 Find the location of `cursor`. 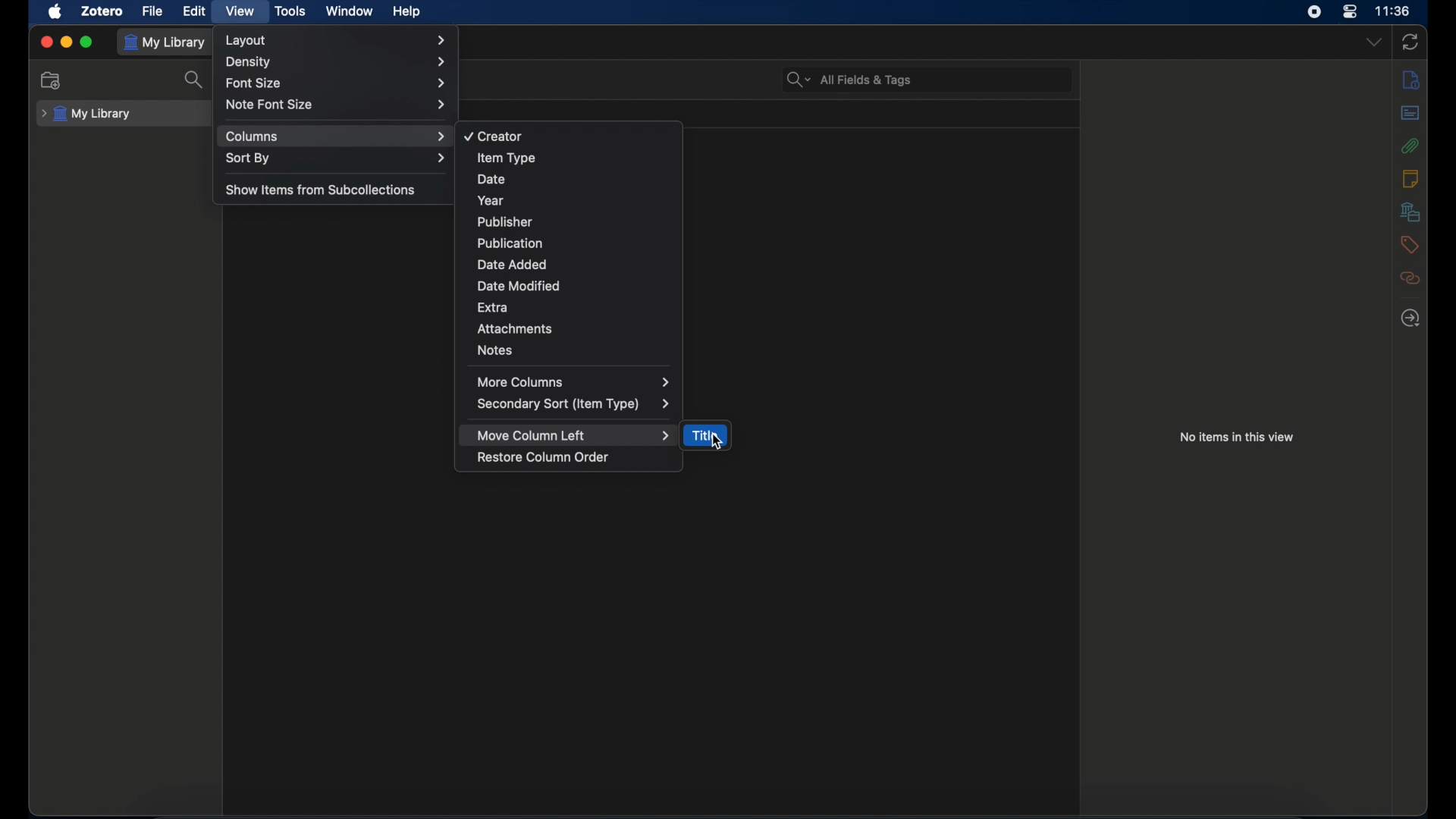

cursor is located at coordinates (717, 442).